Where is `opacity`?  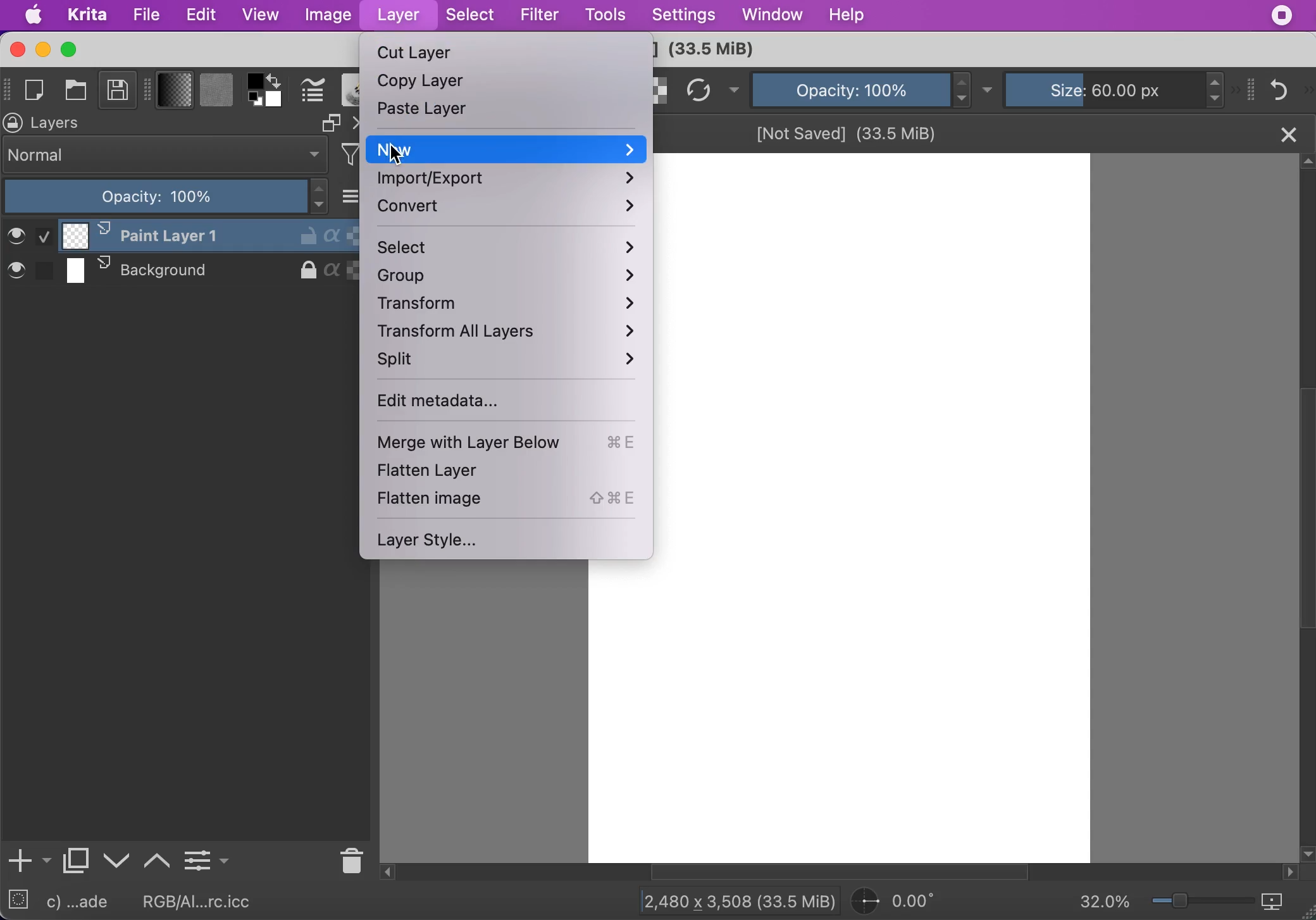 opacity is located at coordinates (850, 89).